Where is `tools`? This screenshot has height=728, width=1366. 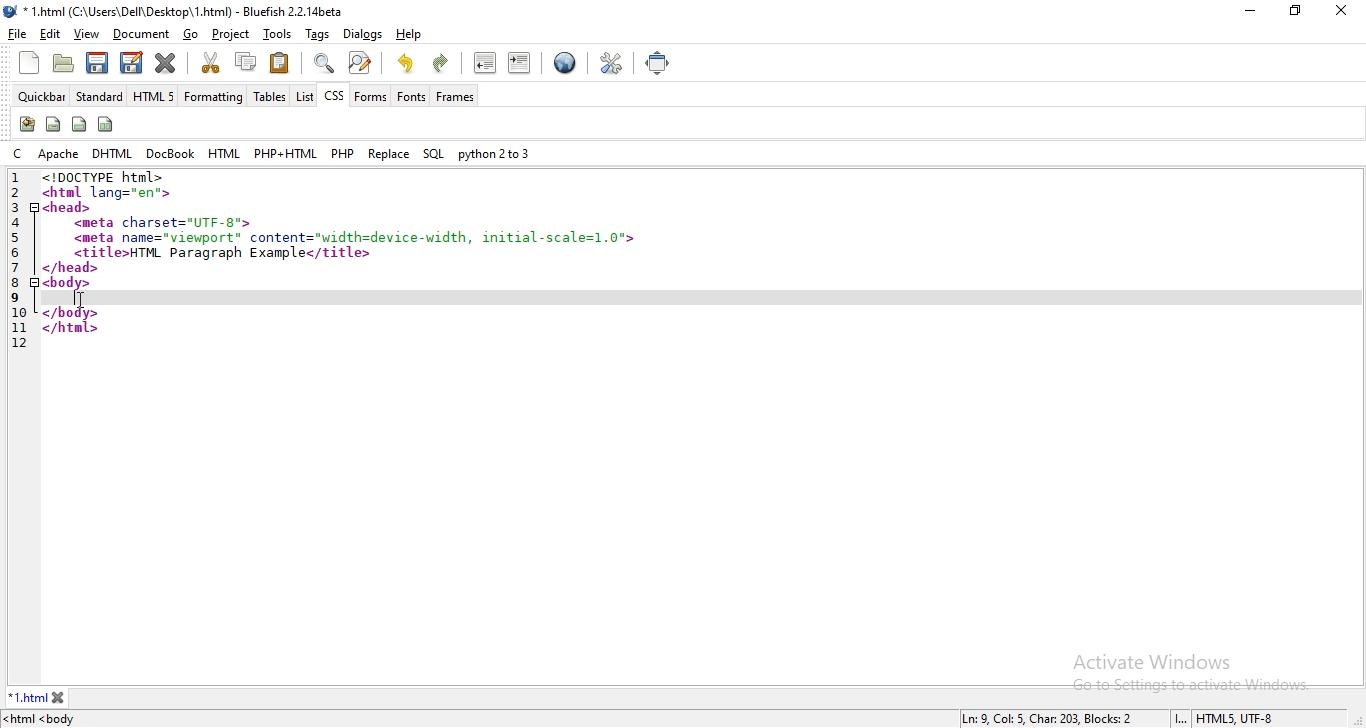 tools is located at coordinates (278, 33).